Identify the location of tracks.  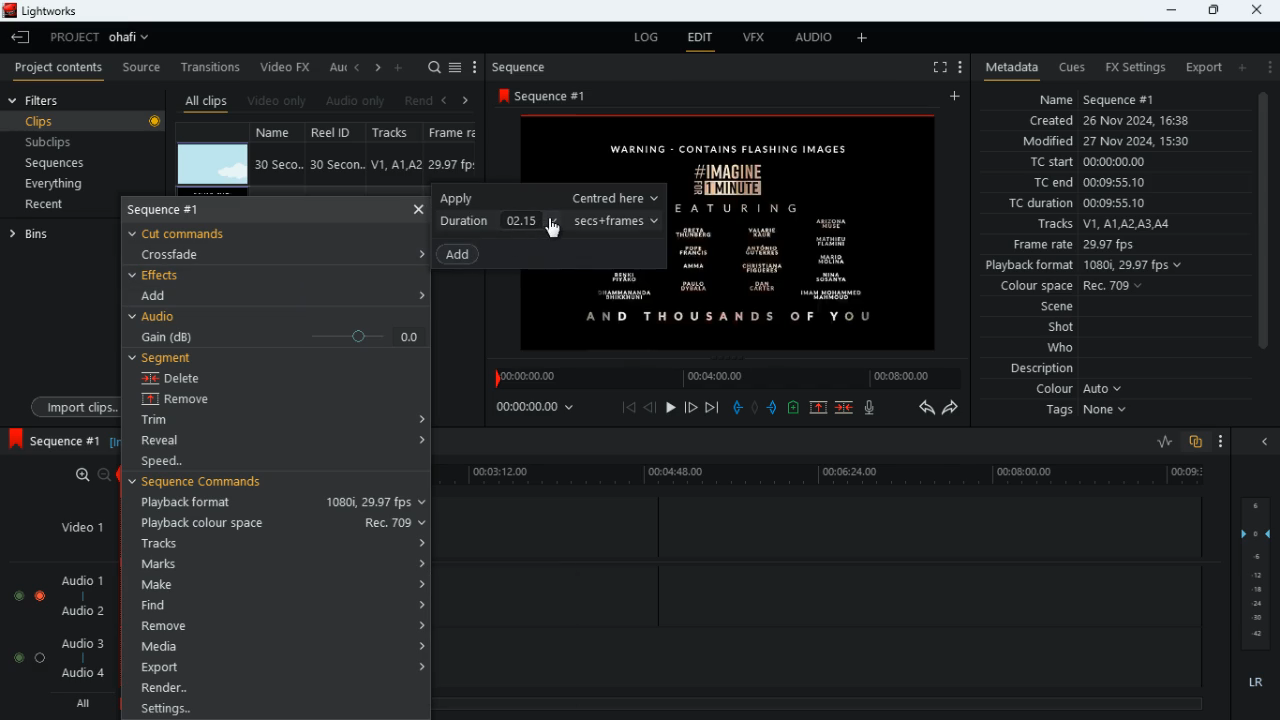
(398, 133).